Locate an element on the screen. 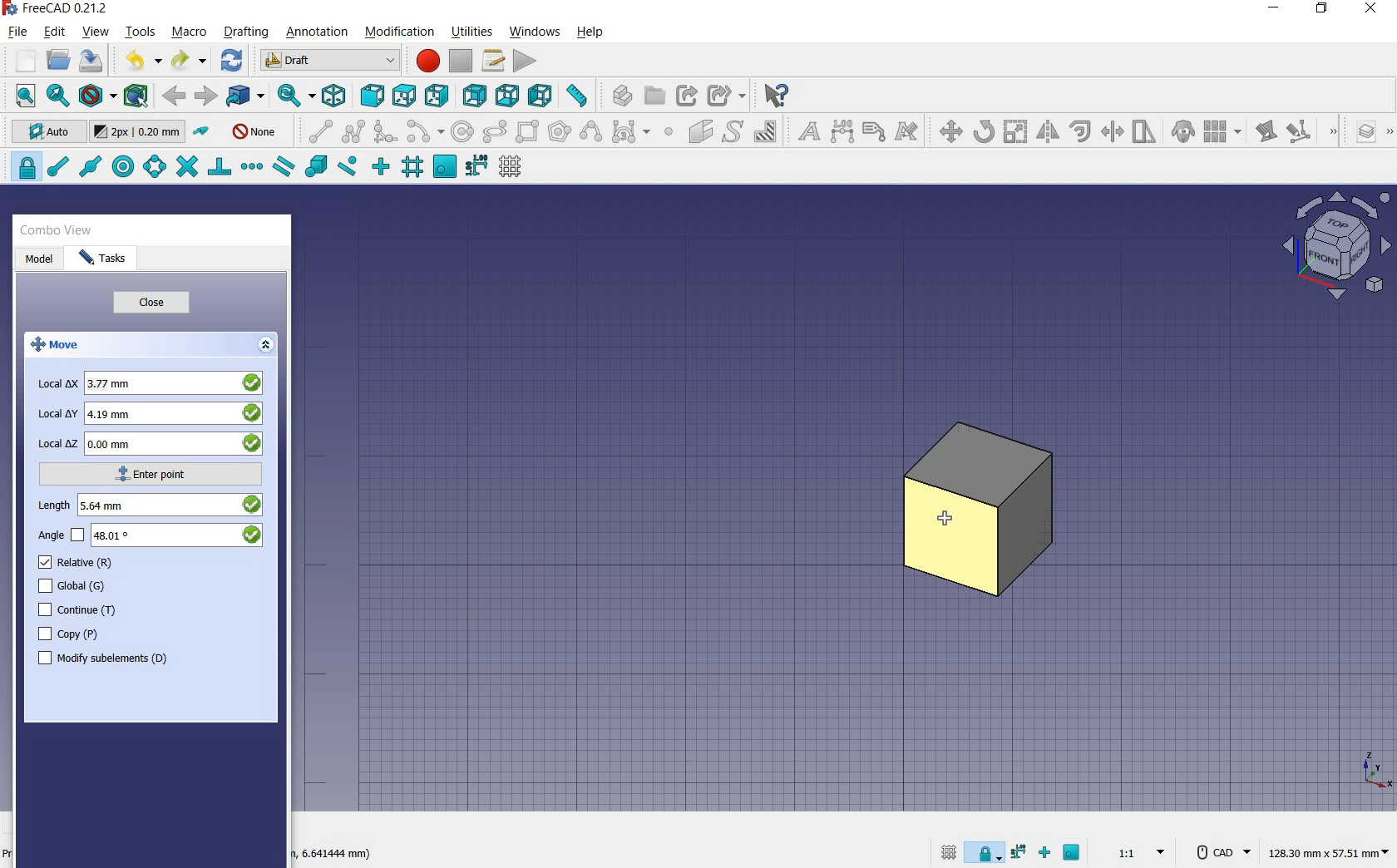 Image resolution: width=1397 pixels, height=868 pixels. utilities is located at coordinates (474, 31).